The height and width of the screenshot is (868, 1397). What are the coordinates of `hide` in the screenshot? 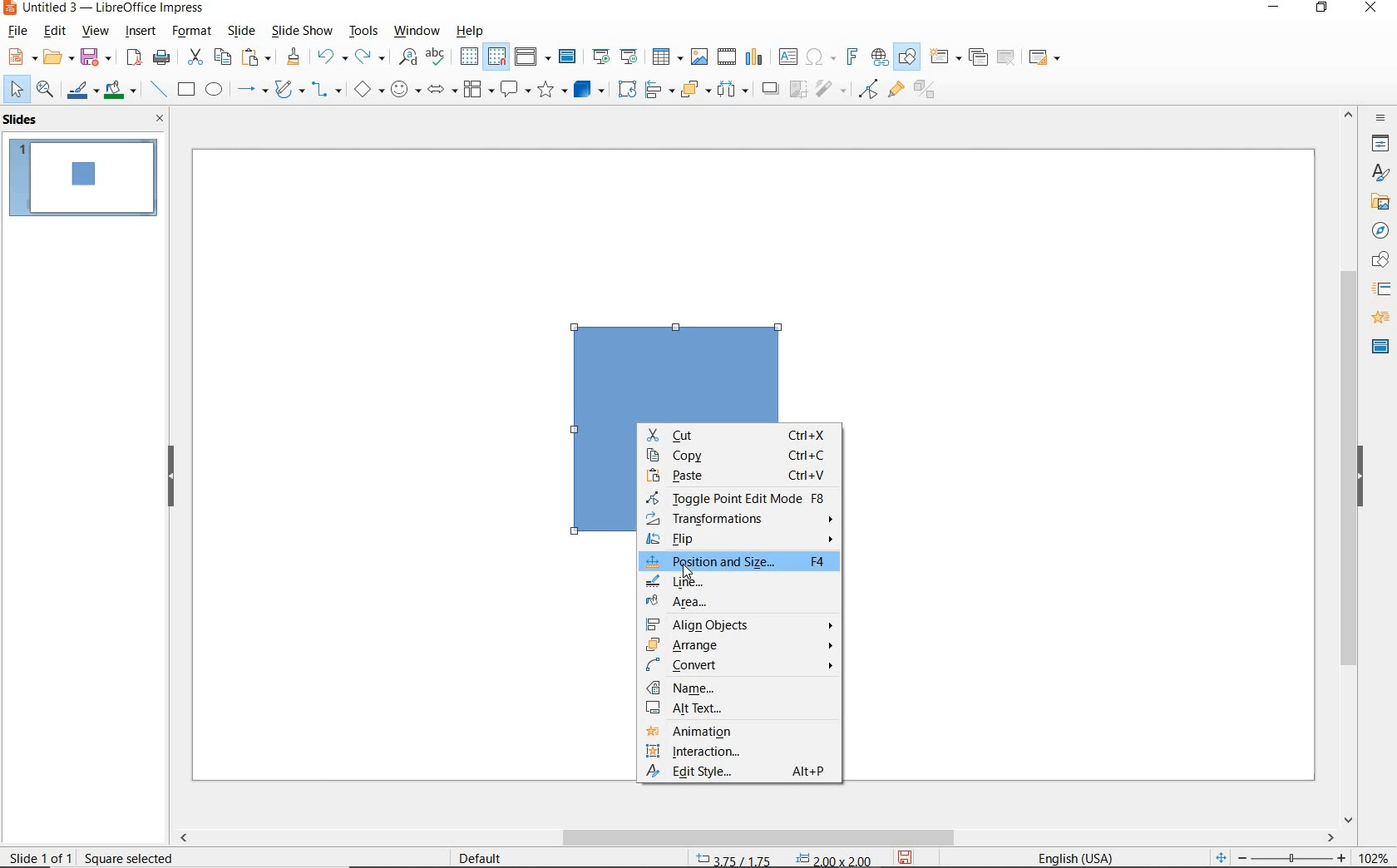 It's located at (1360, 477).